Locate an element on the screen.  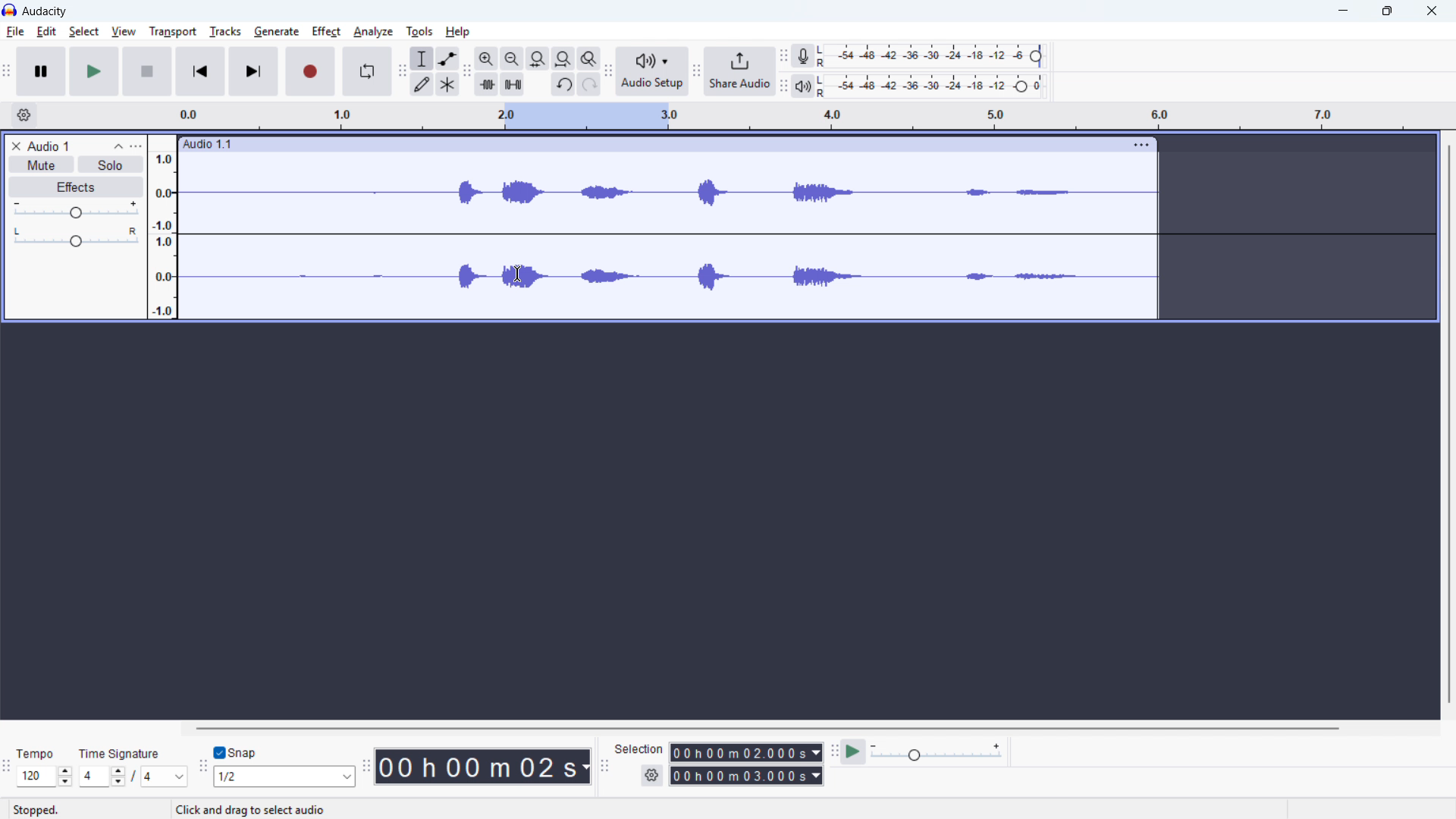
redo is located at coordinates (589, 83).